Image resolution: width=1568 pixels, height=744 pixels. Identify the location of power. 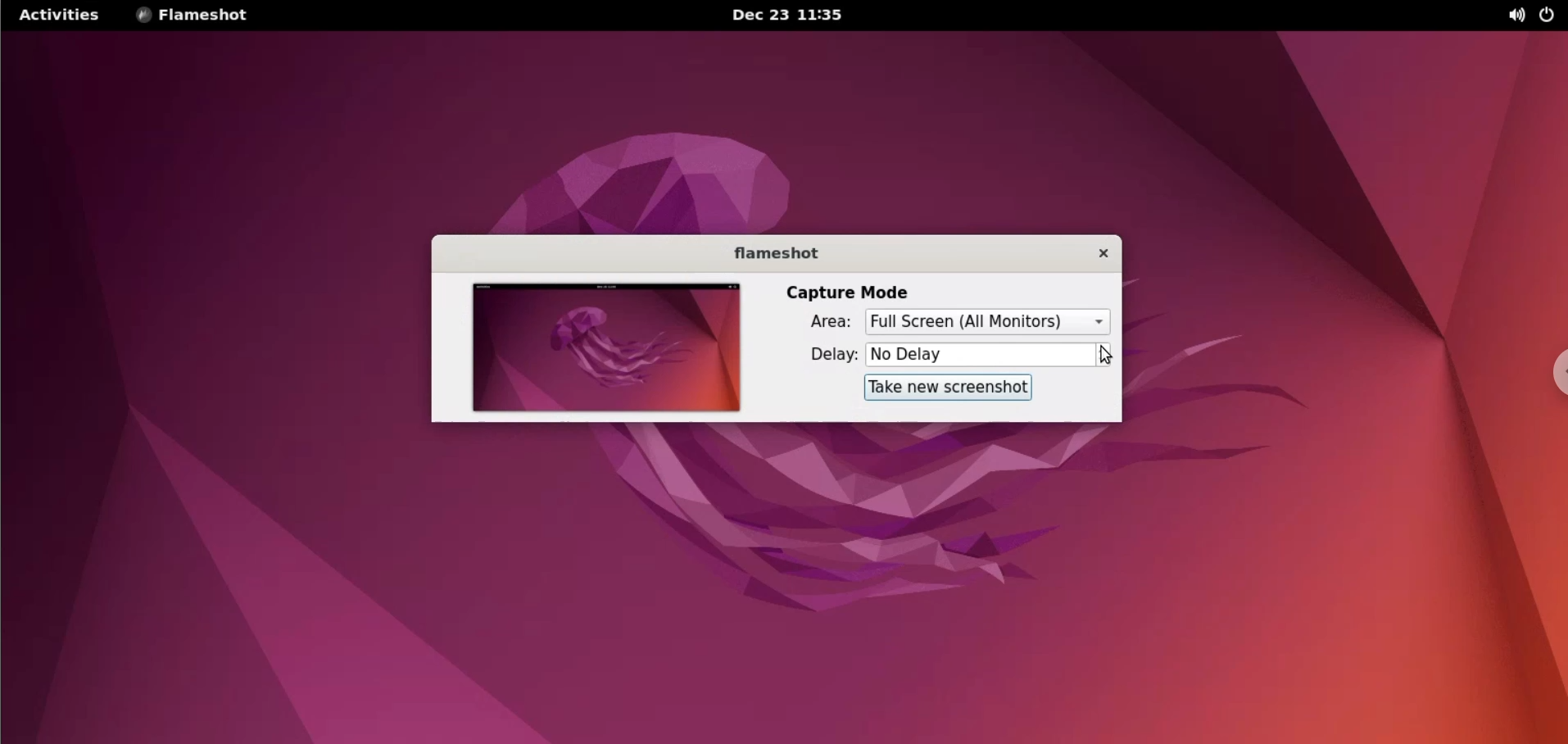
(1547, 16).